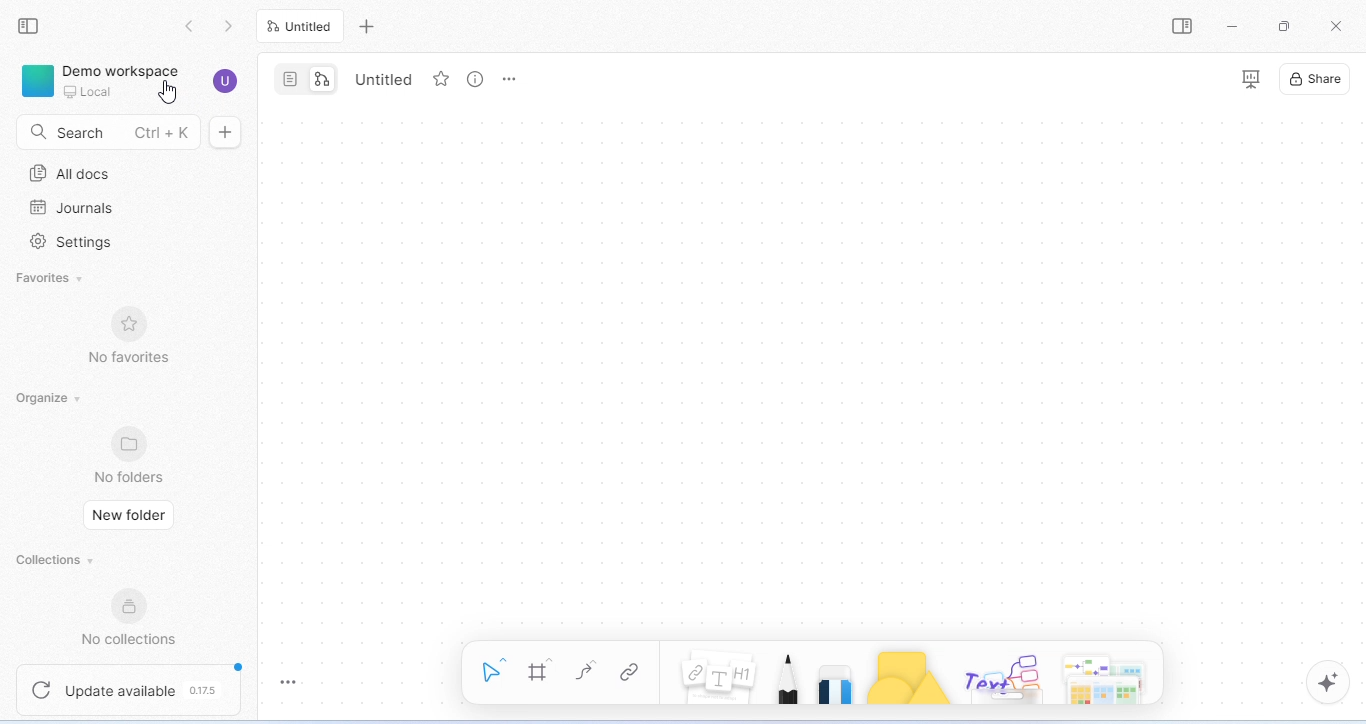  Describe the element at coordinates (229, 133) in the screenshot. I see `new doc` at that location.